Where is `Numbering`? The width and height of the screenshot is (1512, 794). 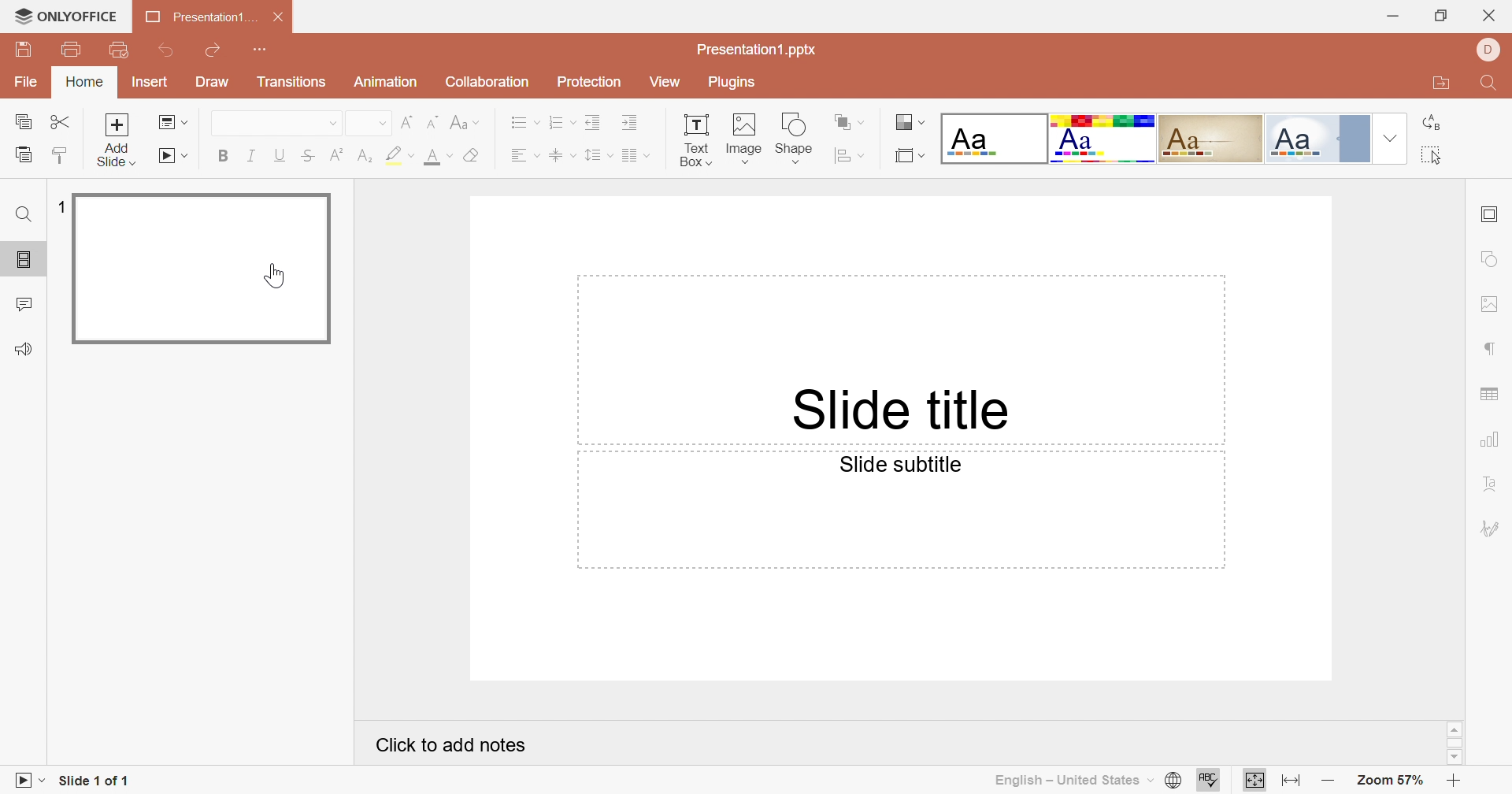
Numbering is located at coordinates (555, 121).